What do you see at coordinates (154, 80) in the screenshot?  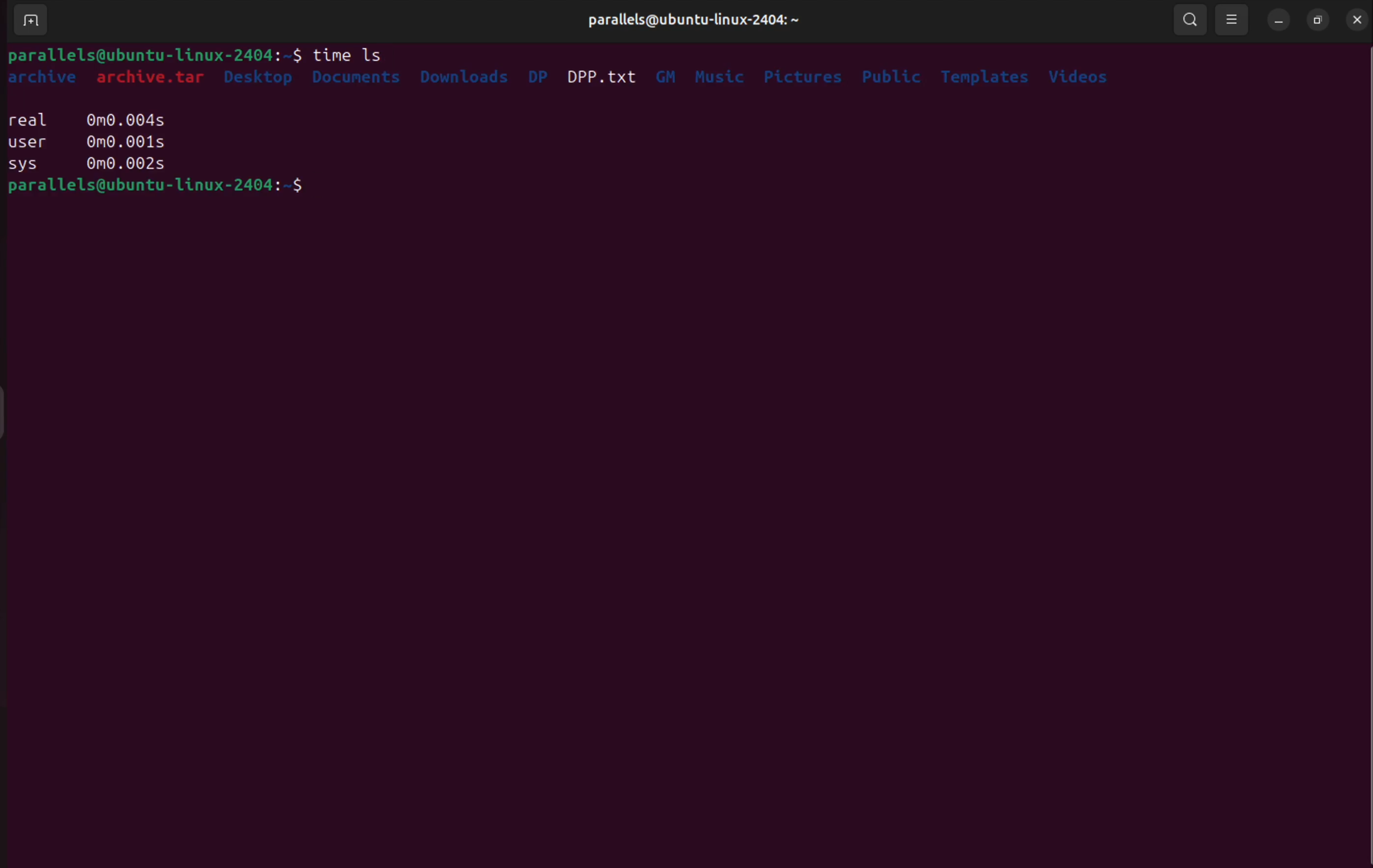 I see `archieve.tar` at bounding box center [154, 80].